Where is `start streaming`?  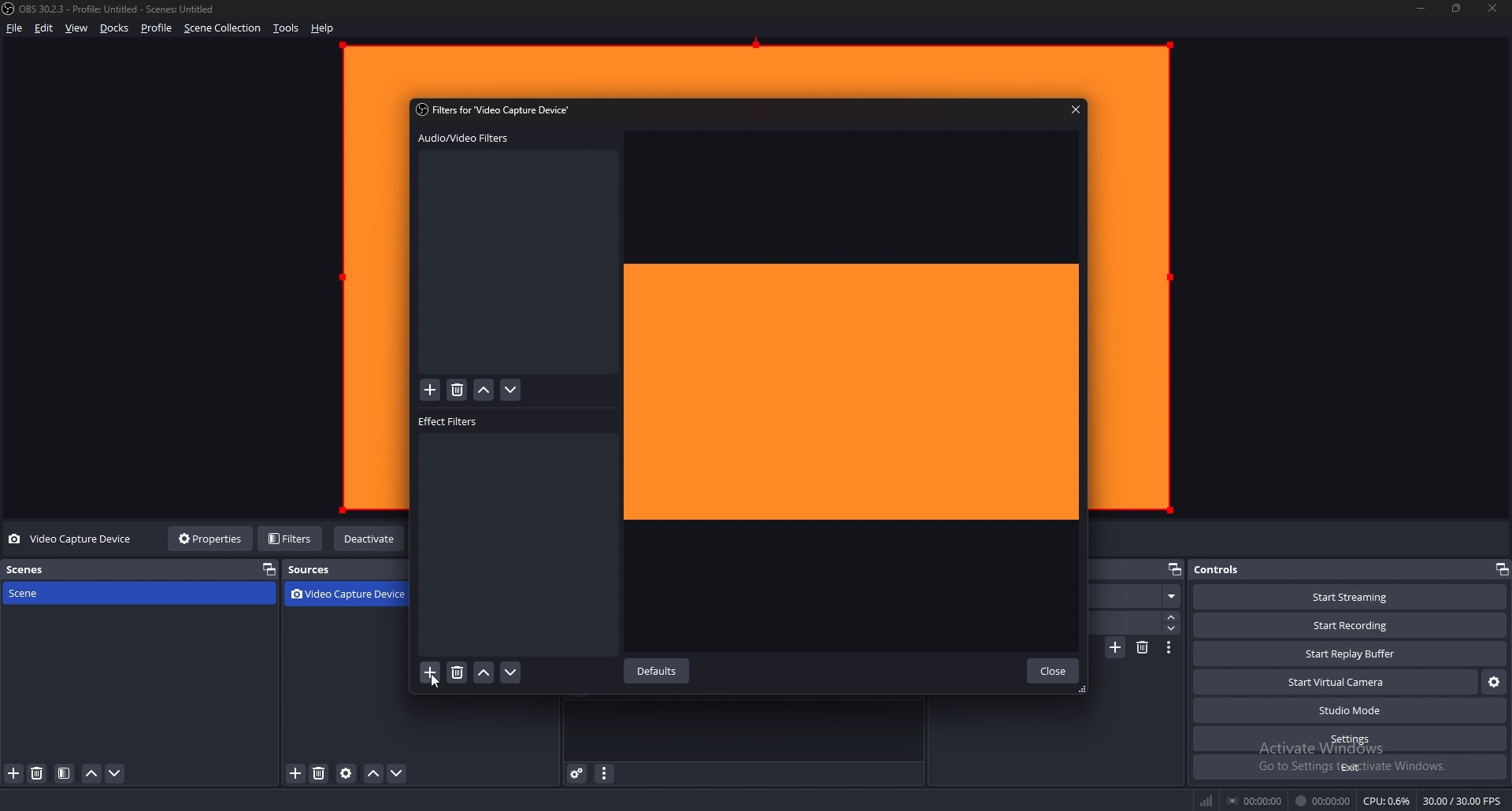
start streaming is located at coordinates (1350, 597).